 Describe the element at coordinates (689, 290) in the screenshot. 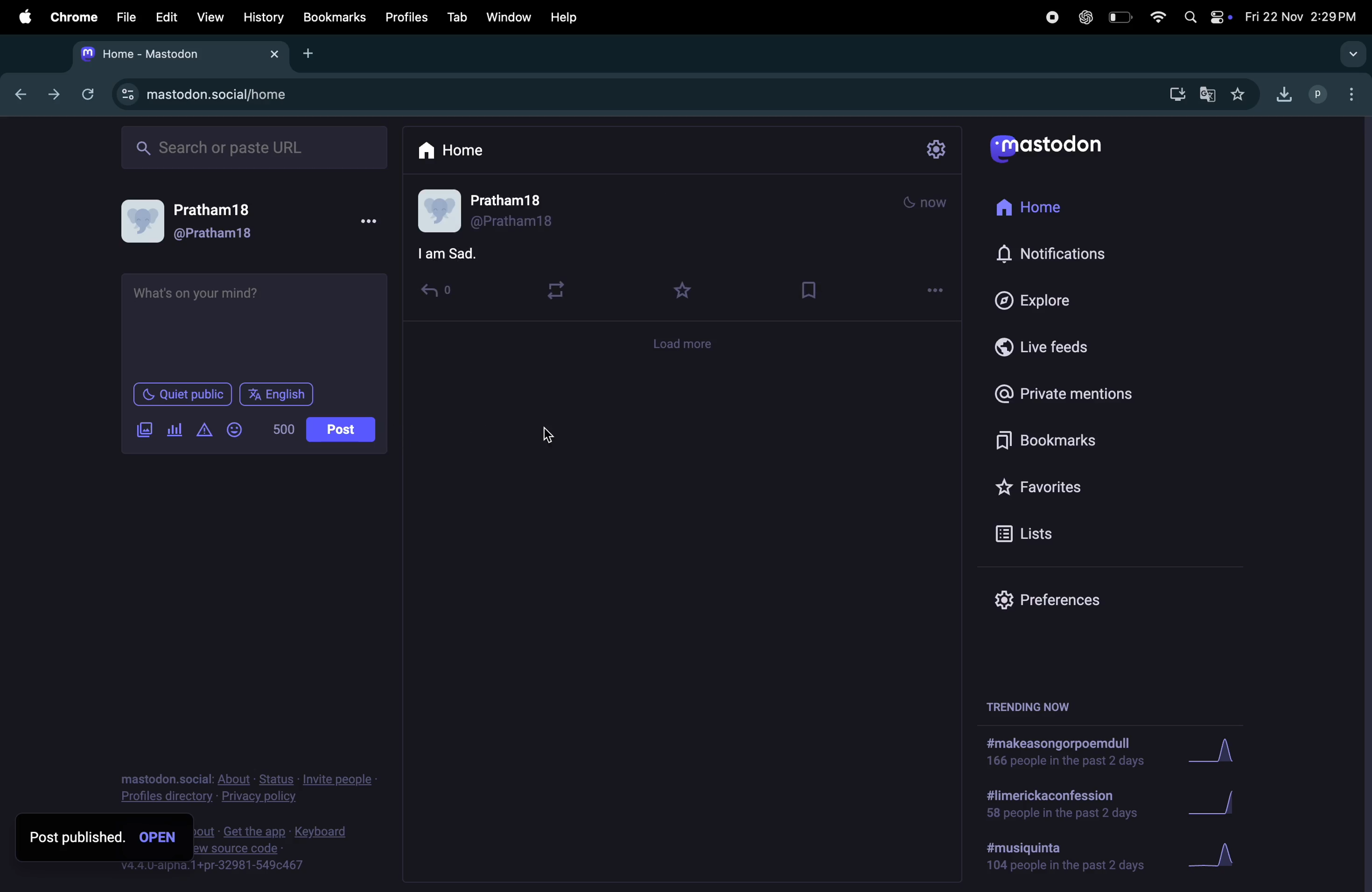

I see `favourites` at that location.